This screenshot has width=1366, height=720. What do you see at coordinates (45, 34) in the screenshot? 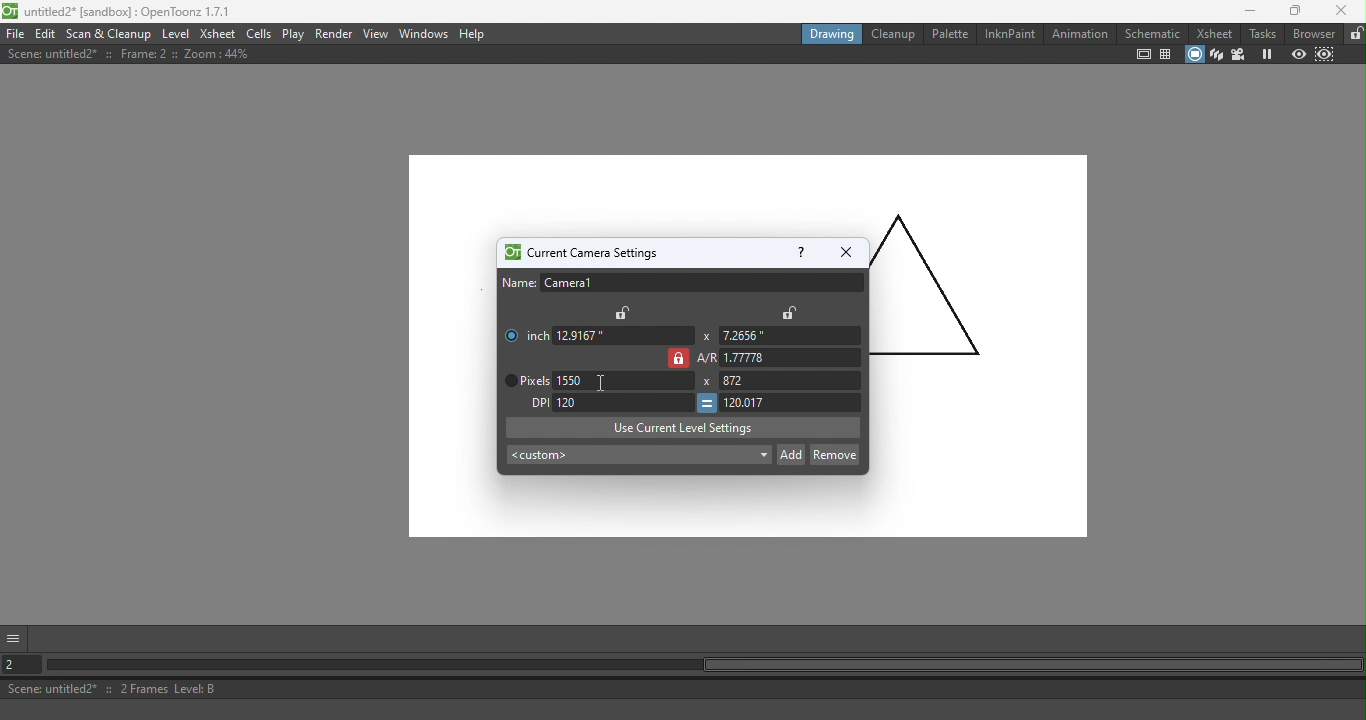
I see `Edit` at bounding box center [45, 34].